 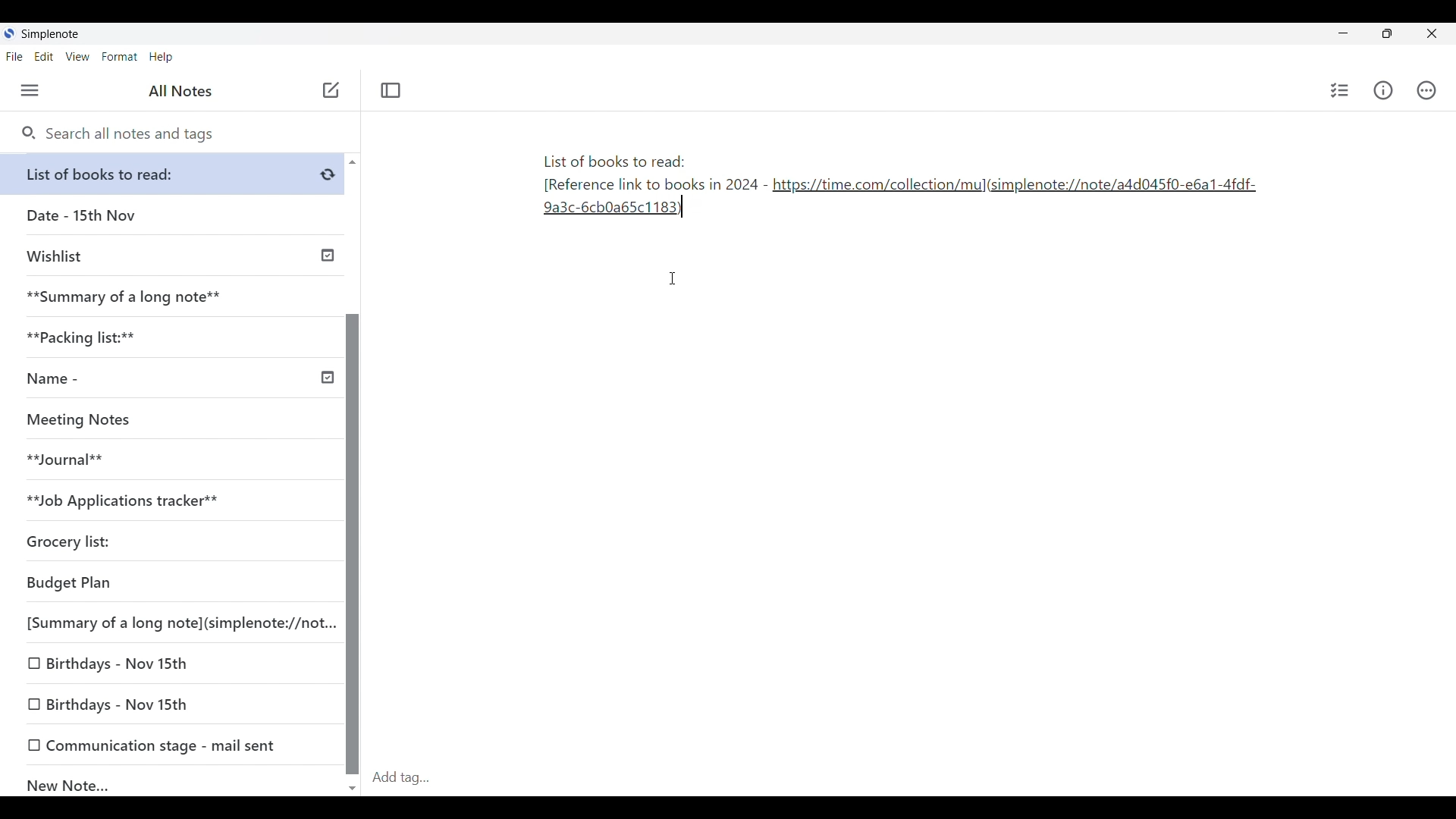 I want to click on Help , so click(x=162, y=58).